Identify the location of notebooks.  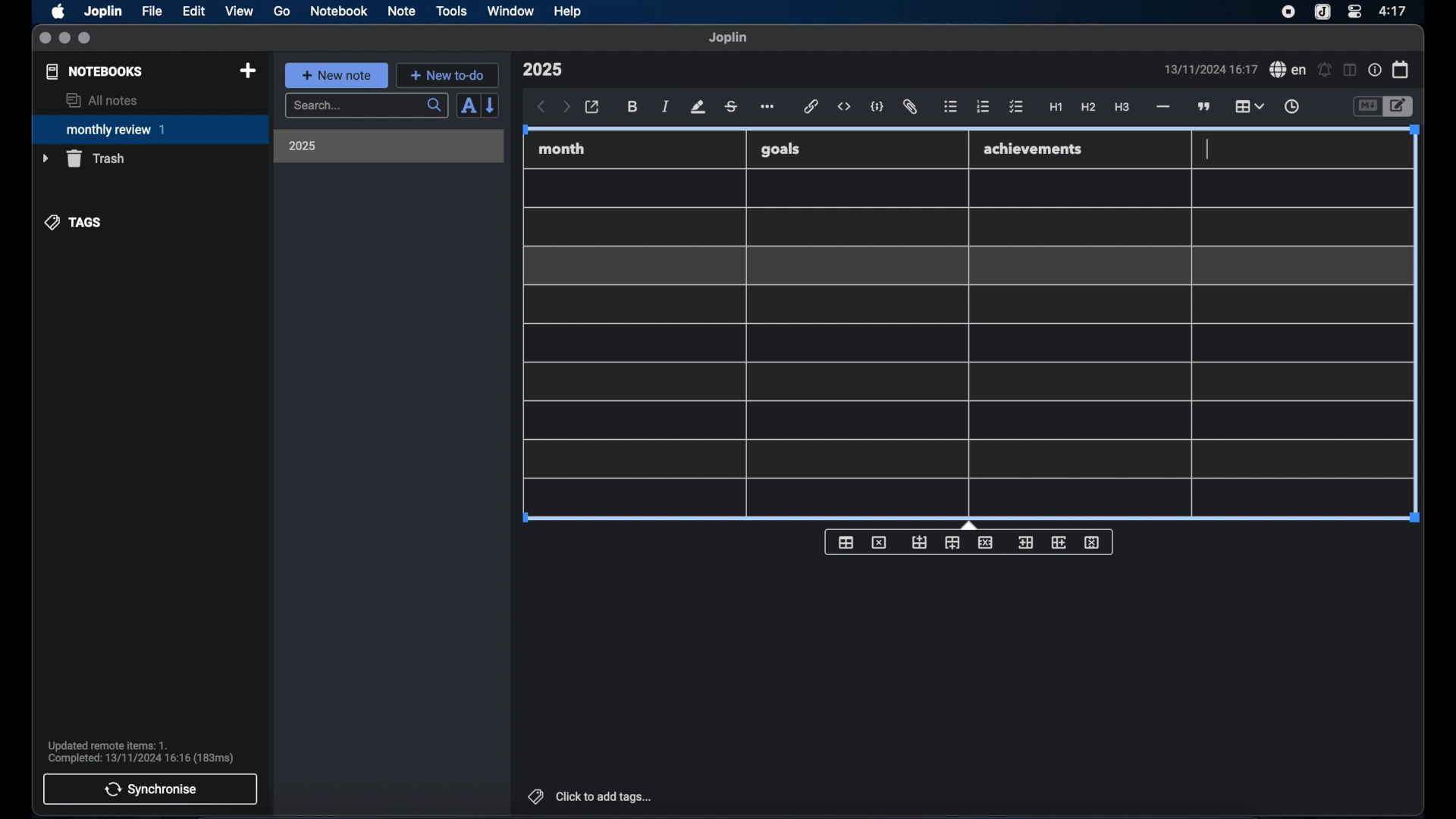
(95, 71).